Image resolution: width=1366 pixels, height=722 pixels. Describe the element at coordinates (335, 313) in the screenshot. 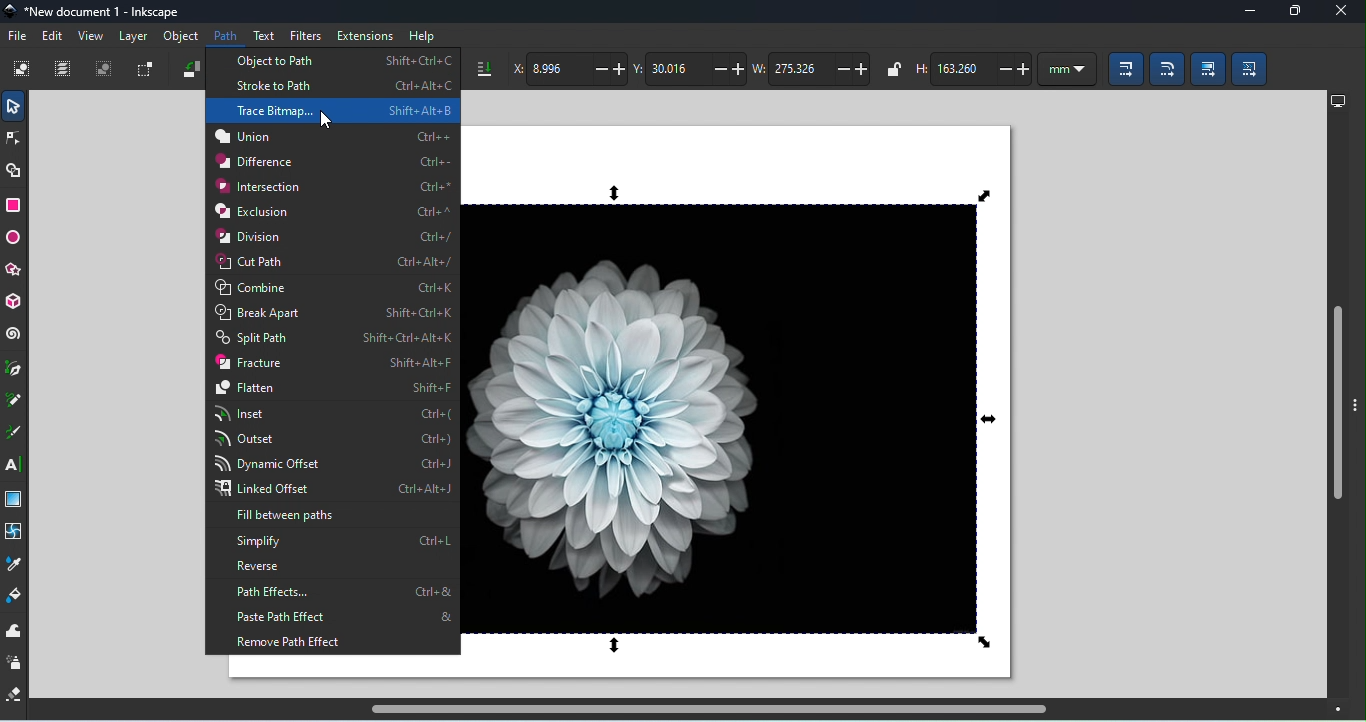

I see `Break apart` at that location.